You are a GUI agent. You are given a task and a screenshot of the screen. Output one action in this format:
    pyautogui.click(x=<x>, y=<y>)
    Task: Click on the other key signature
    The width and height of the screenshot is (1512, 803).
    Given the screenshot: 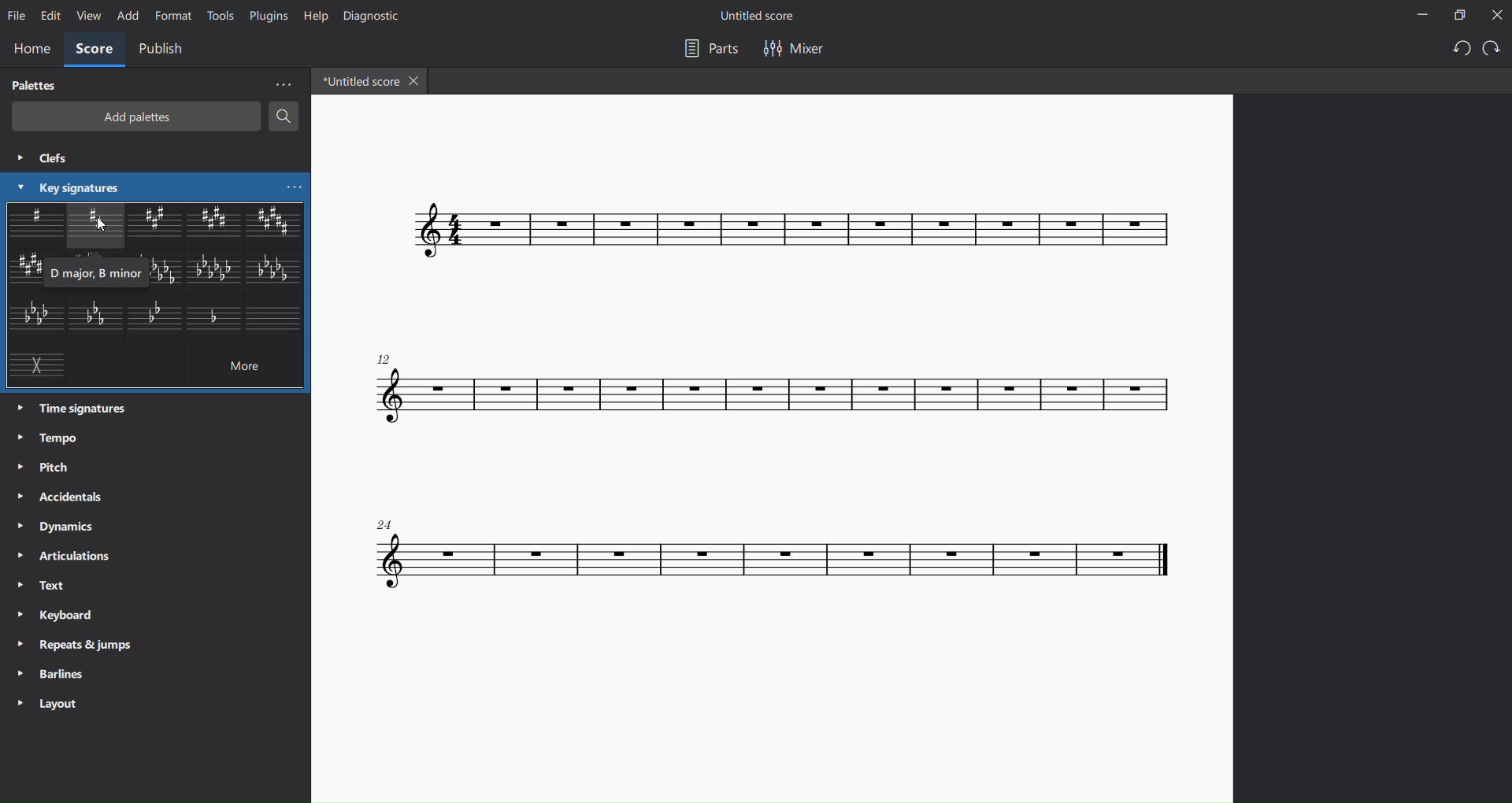 What is the action you would take?
    pyautogui.click(x=215, y=319)
    